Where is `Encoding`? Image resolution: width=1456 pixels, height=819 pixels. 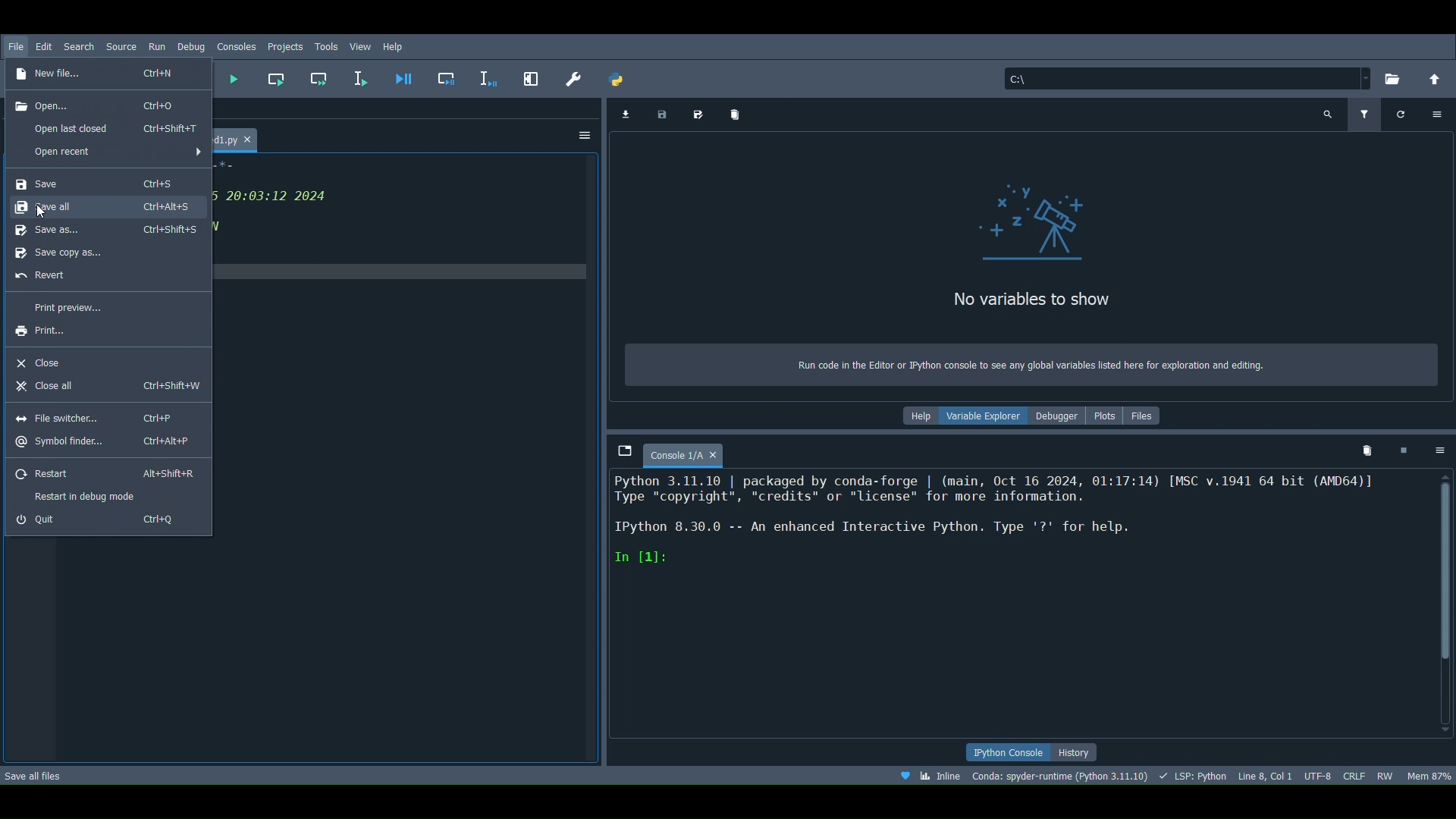 Encoding is located at coordinates (1319, 772).